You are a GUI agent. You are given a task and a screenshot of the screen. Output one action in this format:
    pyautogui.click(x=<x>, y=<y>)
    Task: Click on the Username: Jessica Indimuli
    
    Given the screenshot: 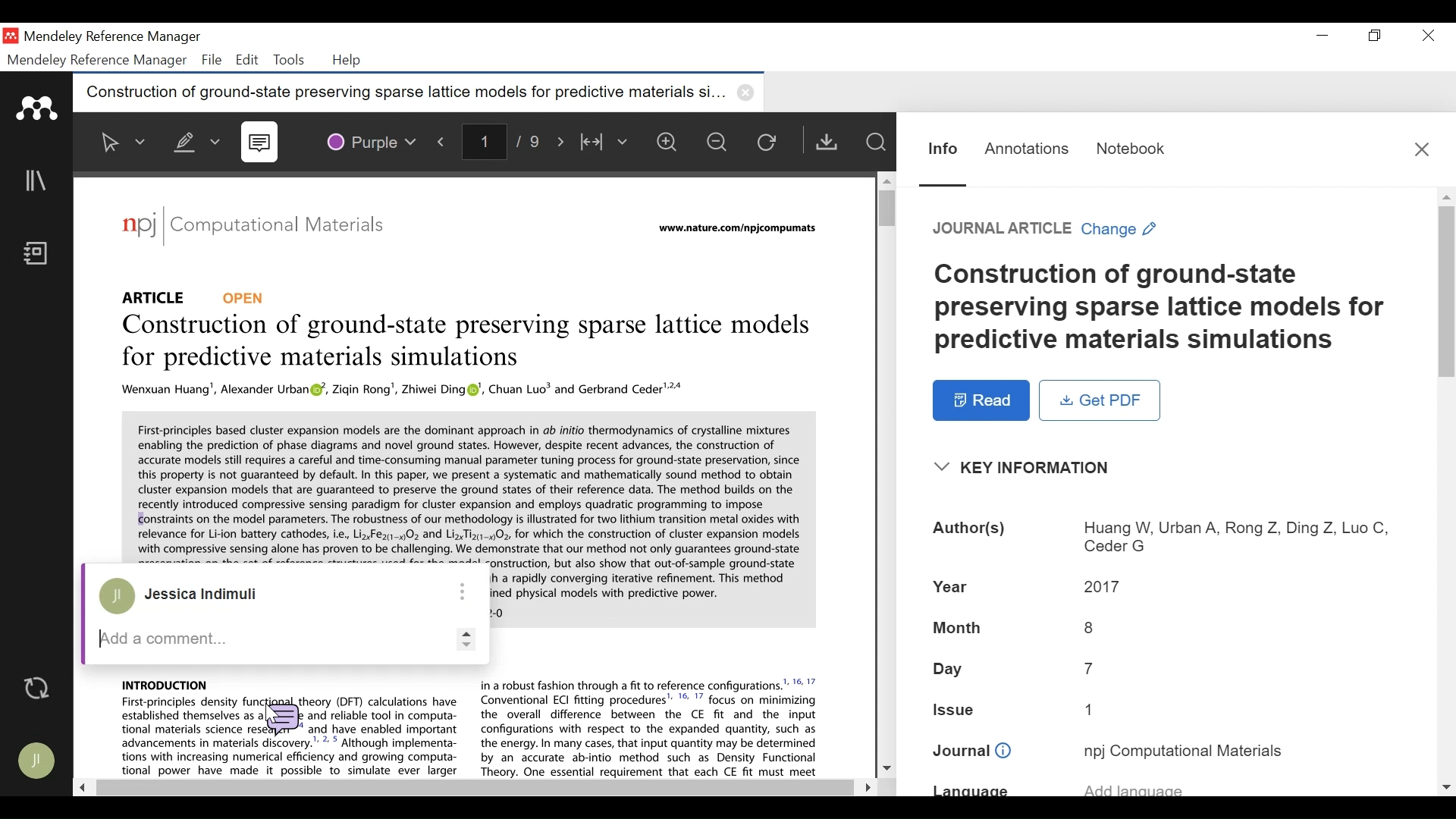 What is the action you would take?
    pyautogui.click(x=210, y=595)
    